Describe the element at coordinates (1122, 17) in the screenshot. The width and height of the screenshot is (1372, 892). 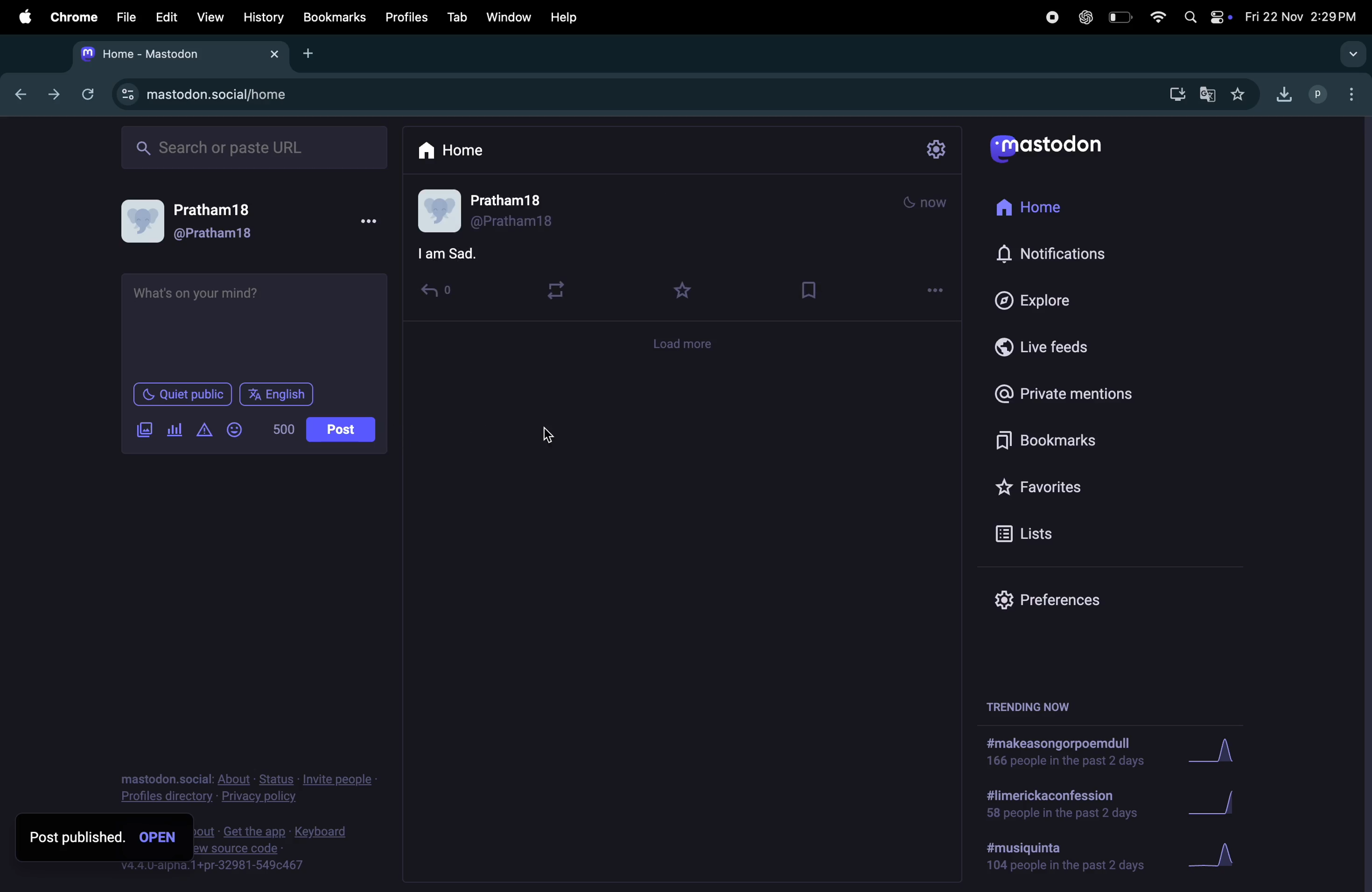
I see `battery` at that location.